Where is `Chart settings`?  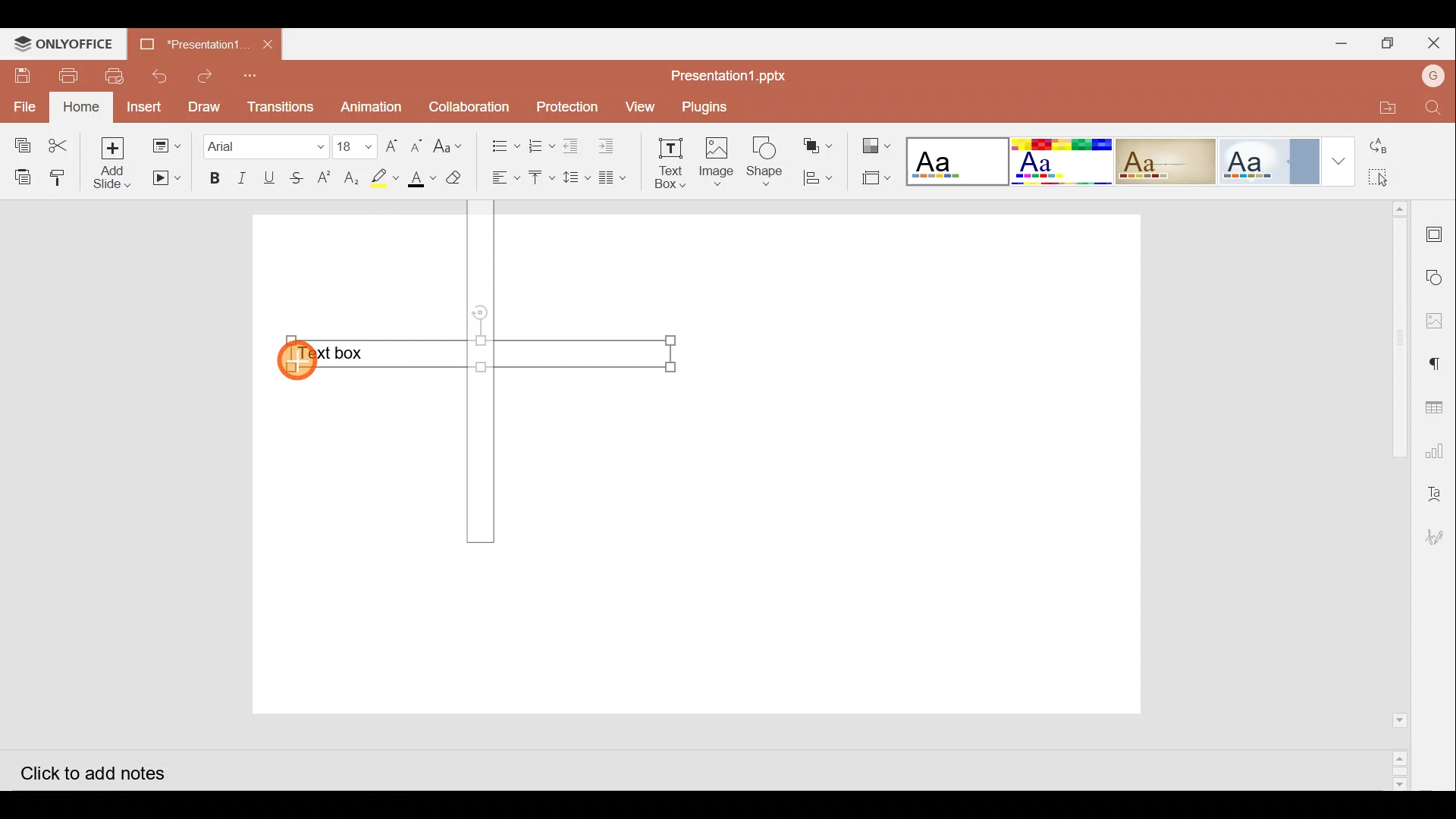 Chart settings is located at coordinates (1438, 451).